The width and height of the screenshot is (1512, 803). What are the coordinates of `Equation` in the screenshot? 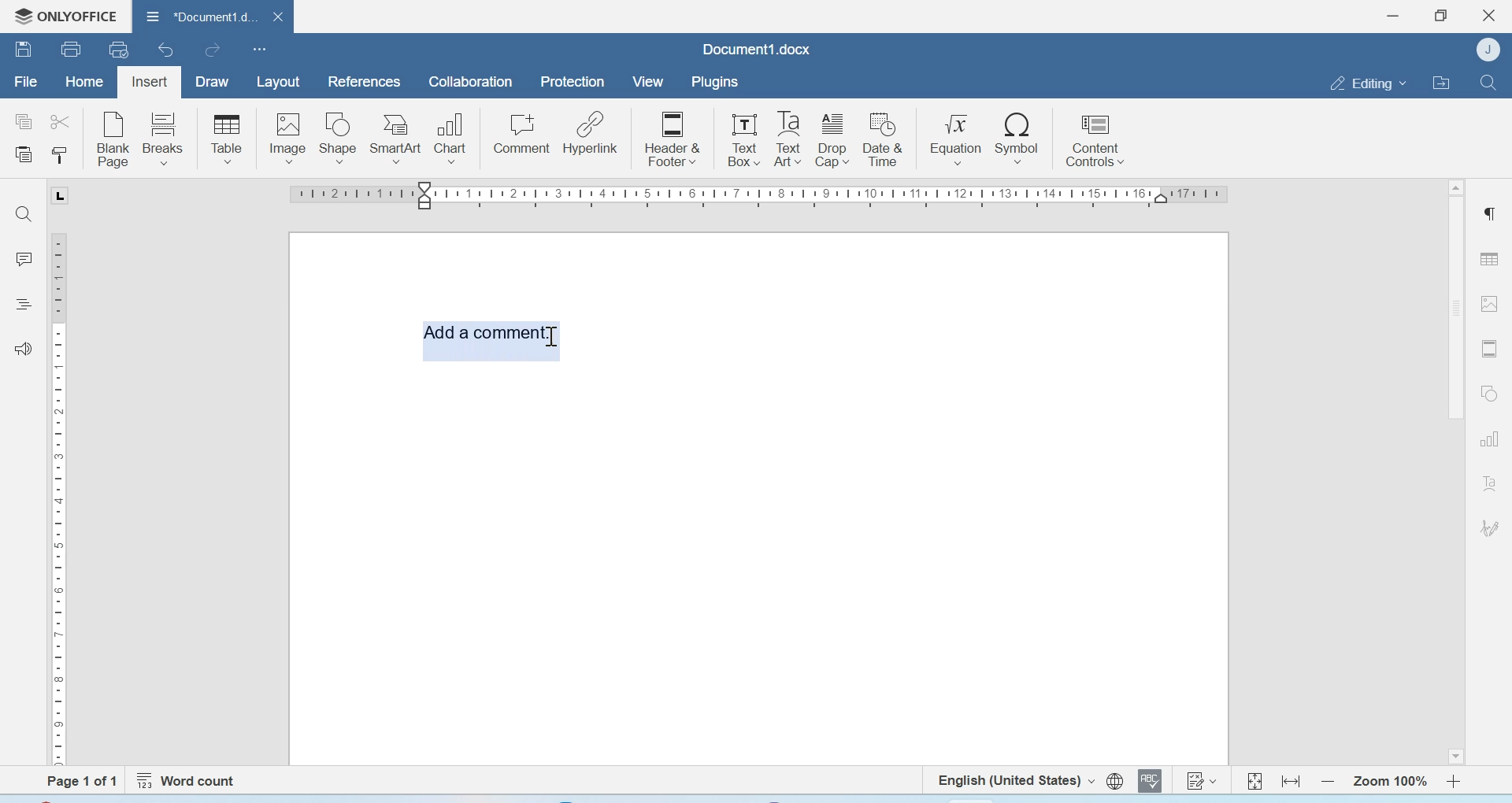 It's located at (956, 137).